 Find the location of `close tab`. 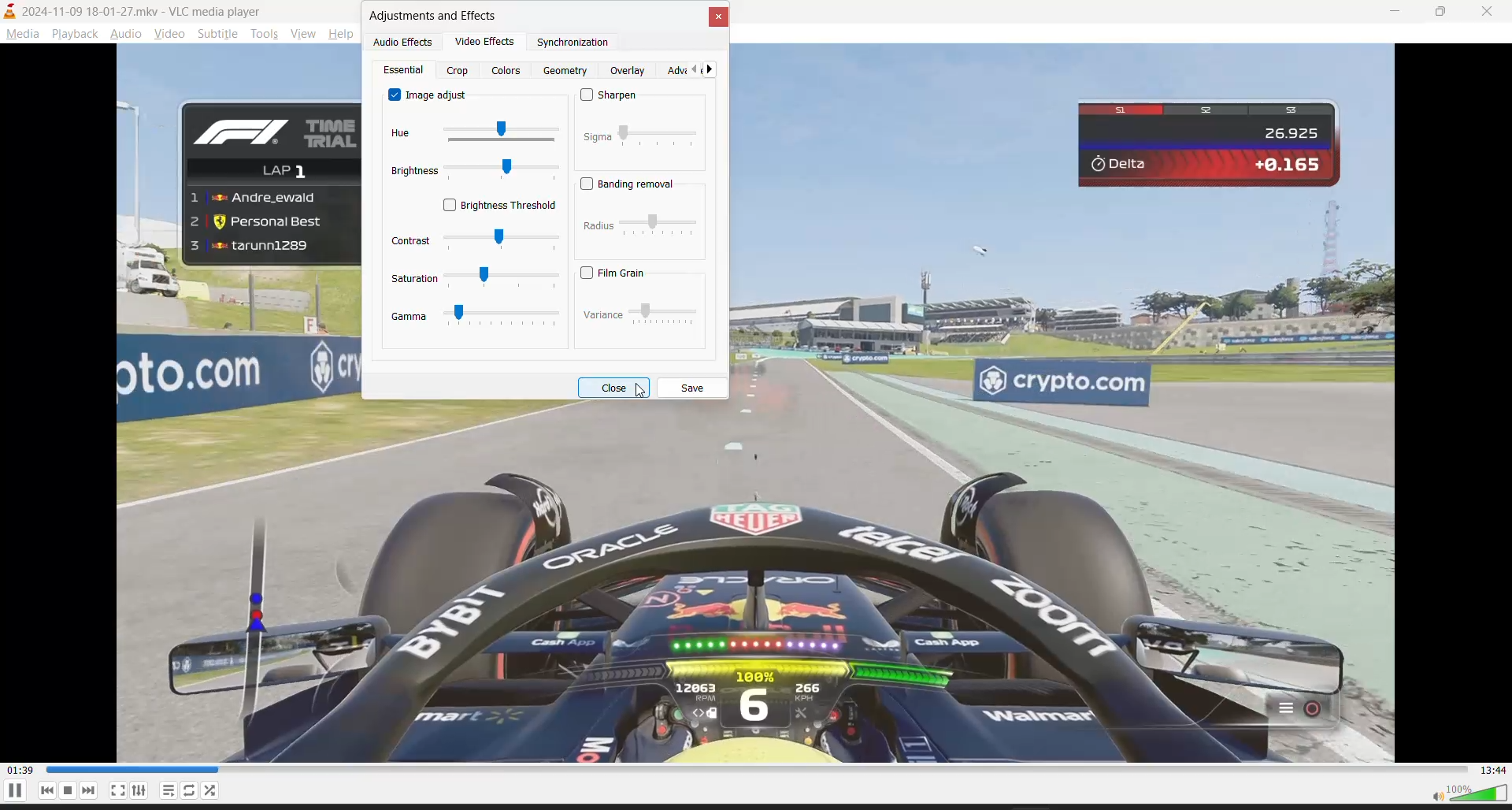

close tab is located at coordinates (721, 18).